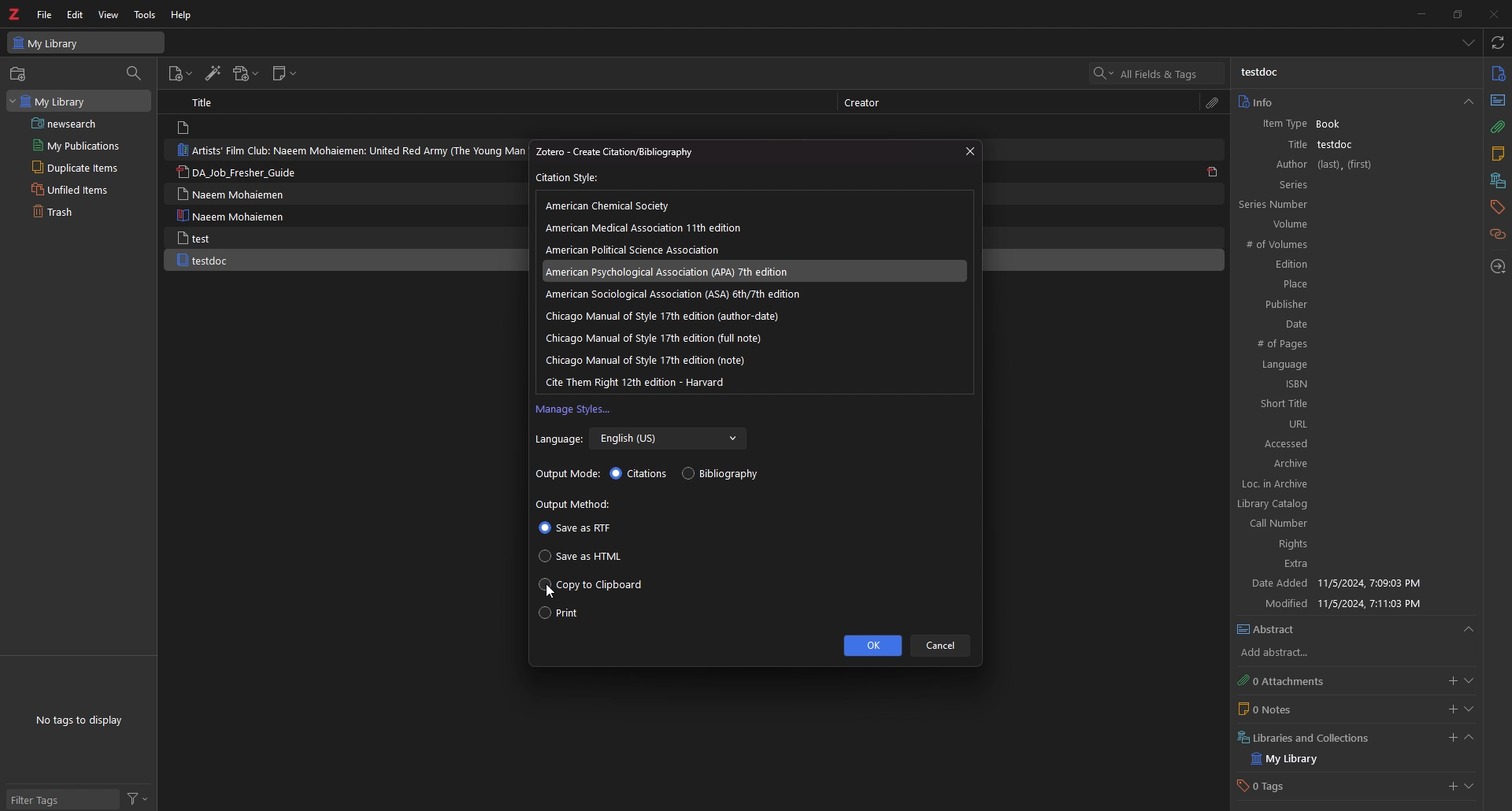 The height and width of the screenshot is (811, 1512). What do you see at coordinates (584, 556) in the screenshot?
I see `save as html` at bounding box center [584, 556].